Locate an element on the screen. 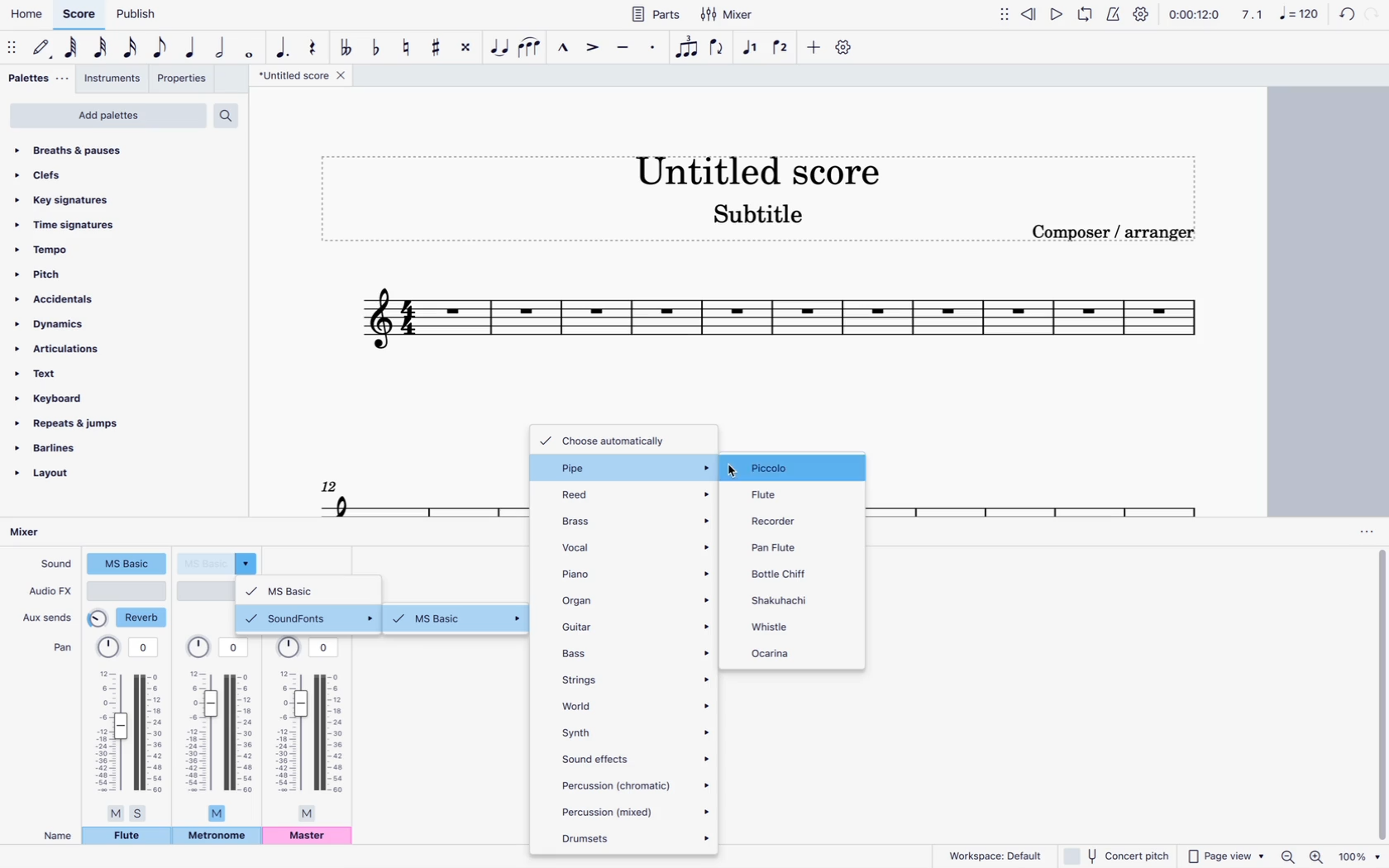 This screenshot has height=868, width=1389. augmentation dot is located at coordinates (281, 43).